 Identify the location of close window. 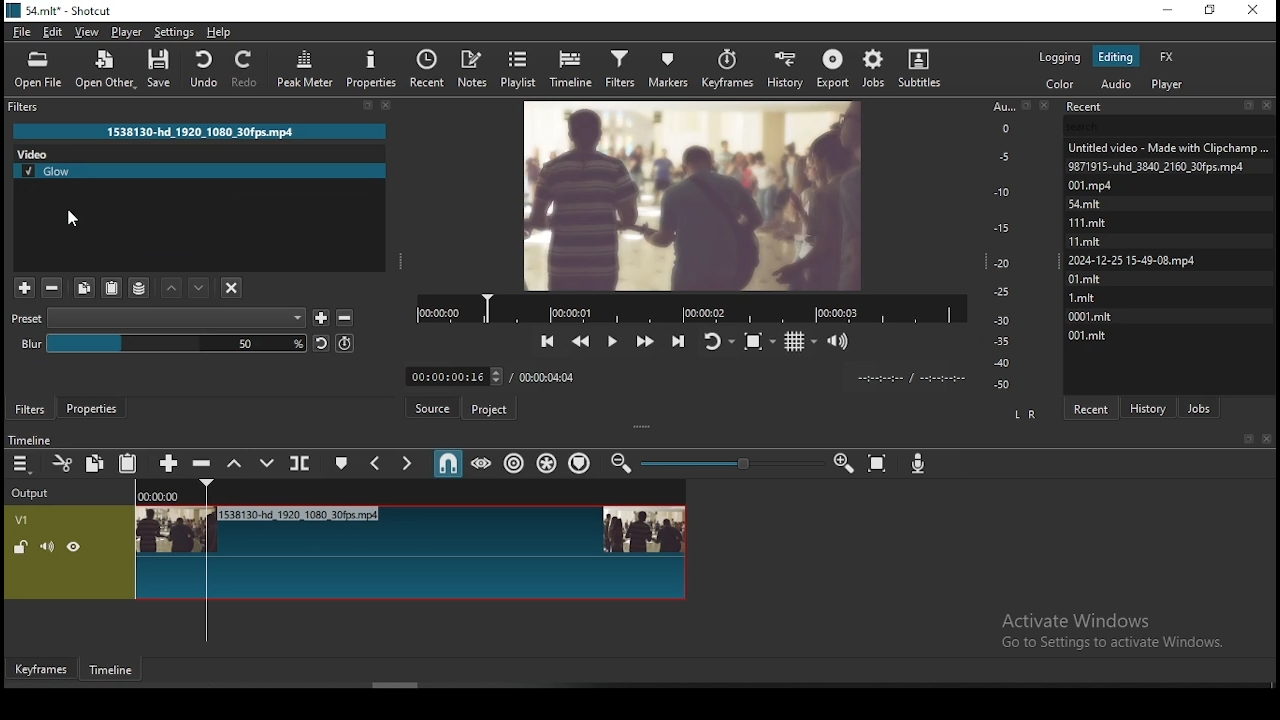
(1255, 11).